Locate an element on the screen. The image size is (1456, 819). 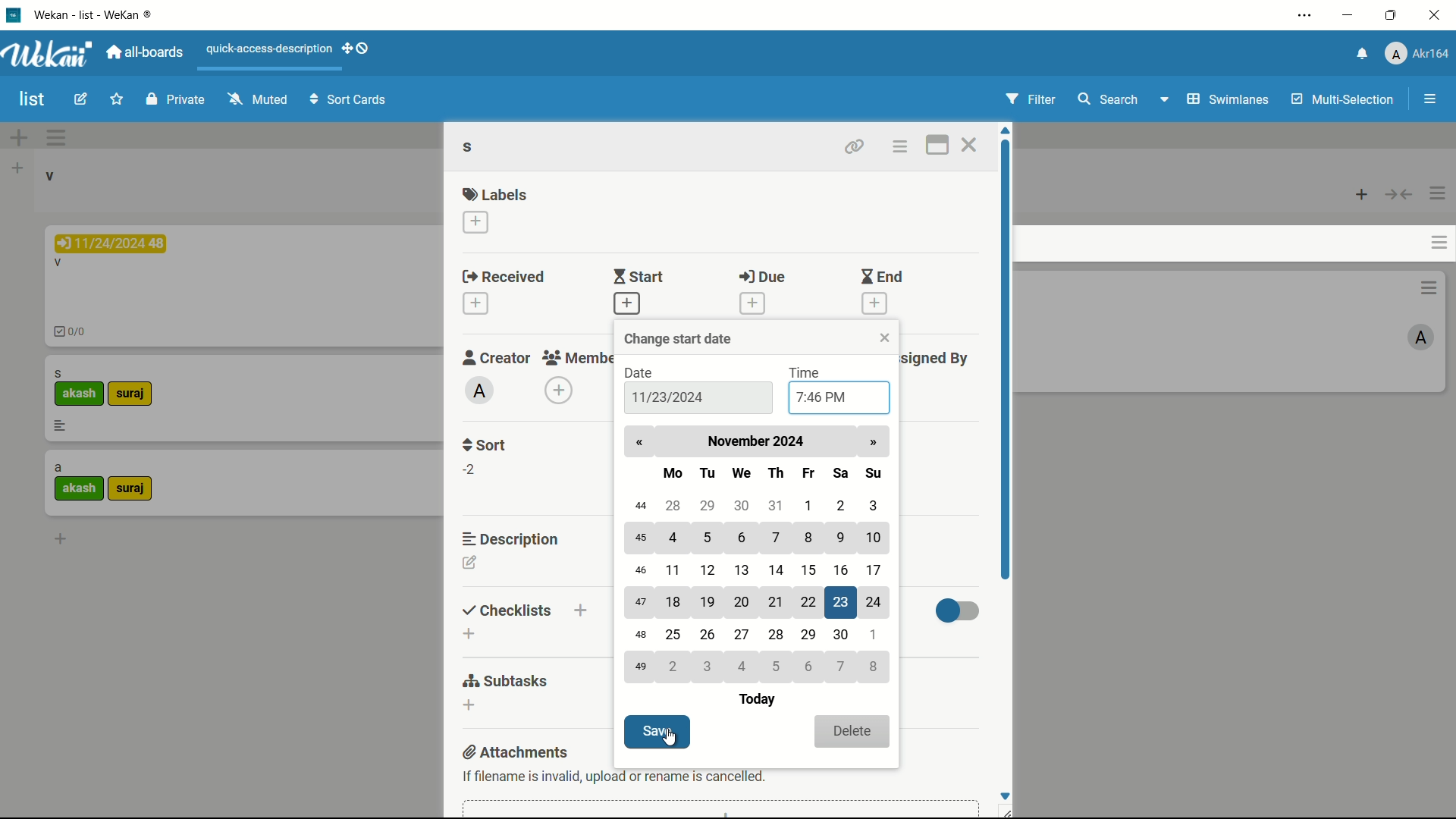
creator is located at coordinates (493, 357).